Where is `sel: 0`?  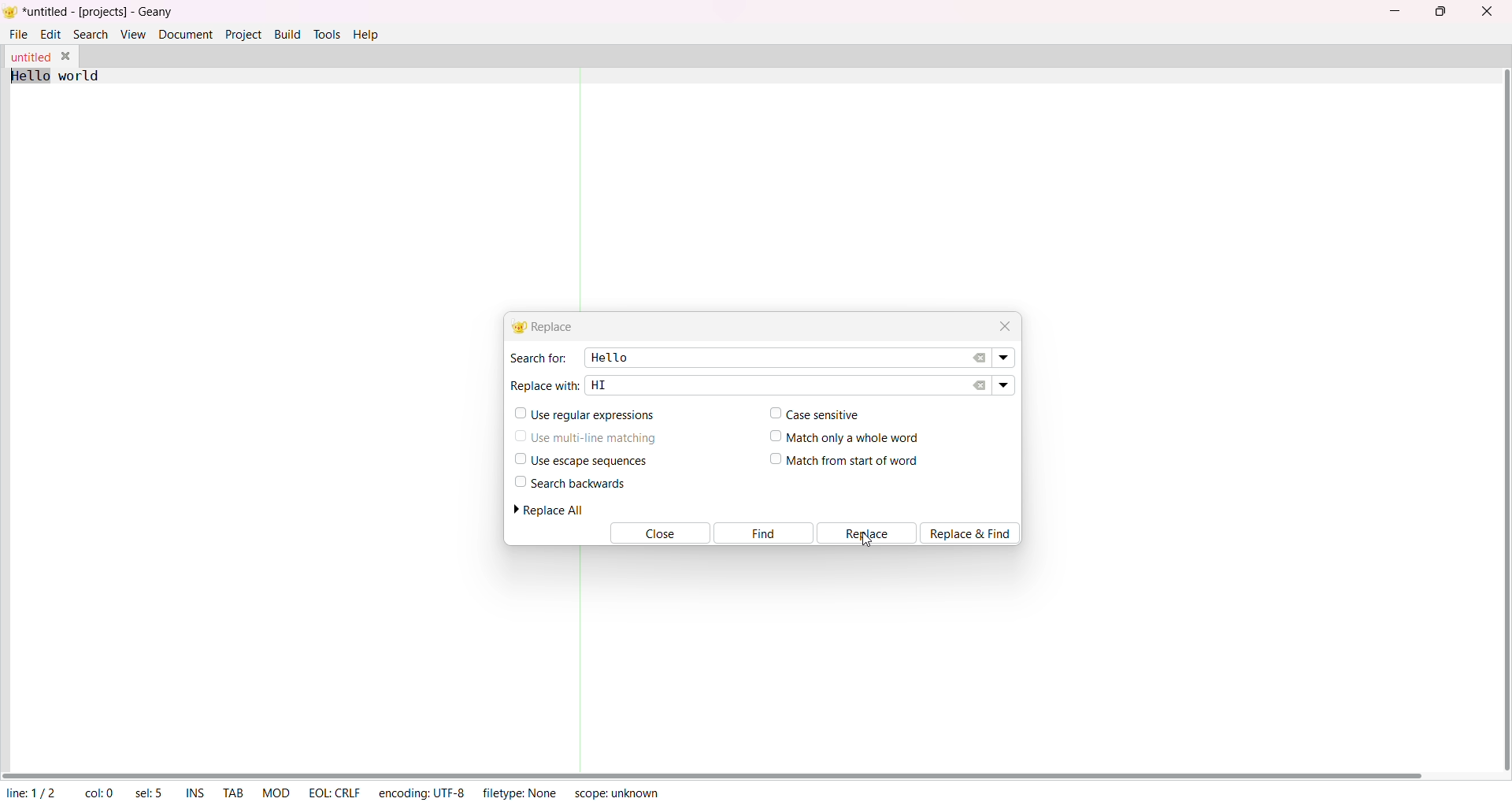
sel: 0 is located at coordinates (150, 793).